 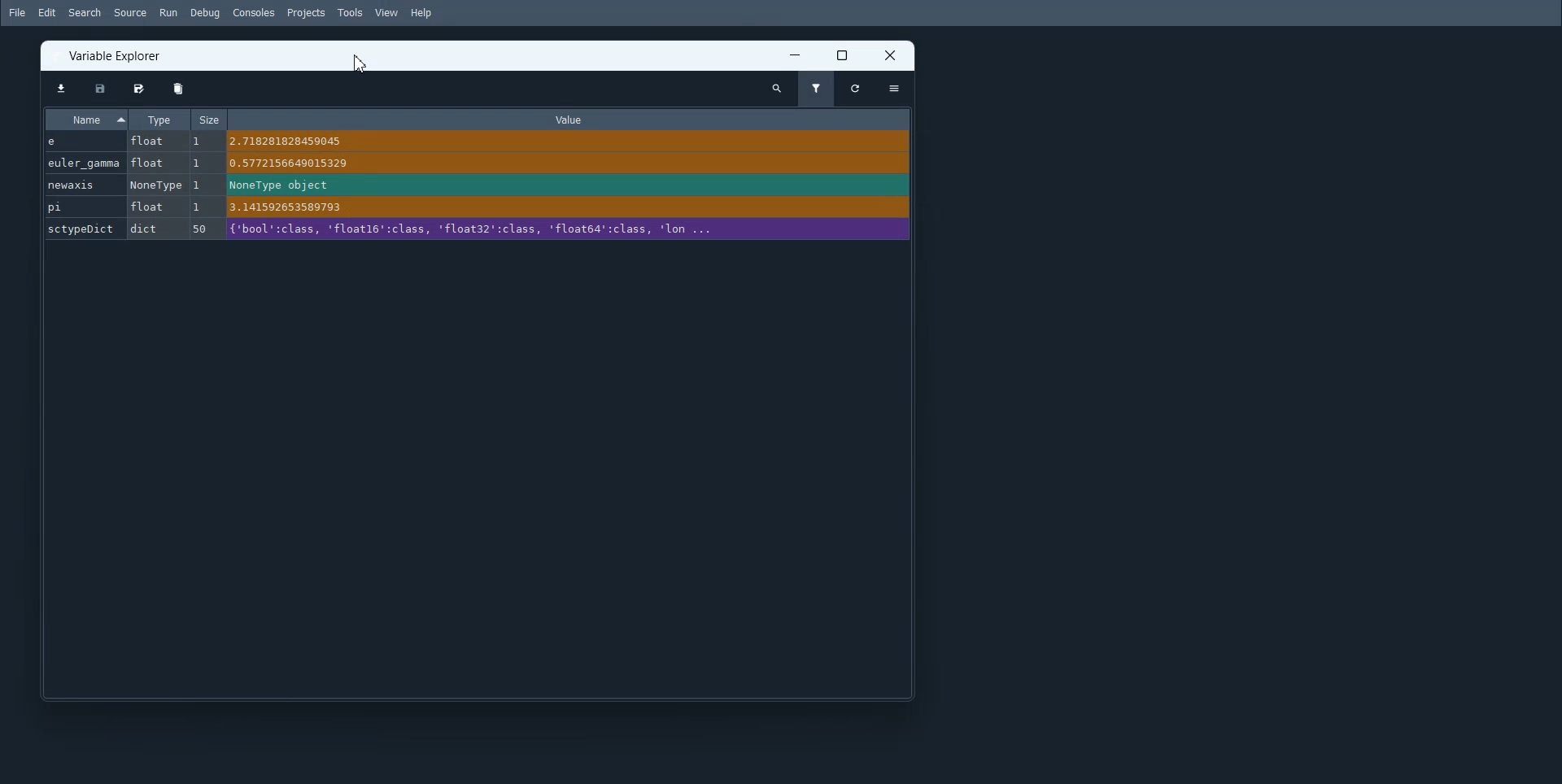 I want to click on Nonetype, so click(x=157, y=185).